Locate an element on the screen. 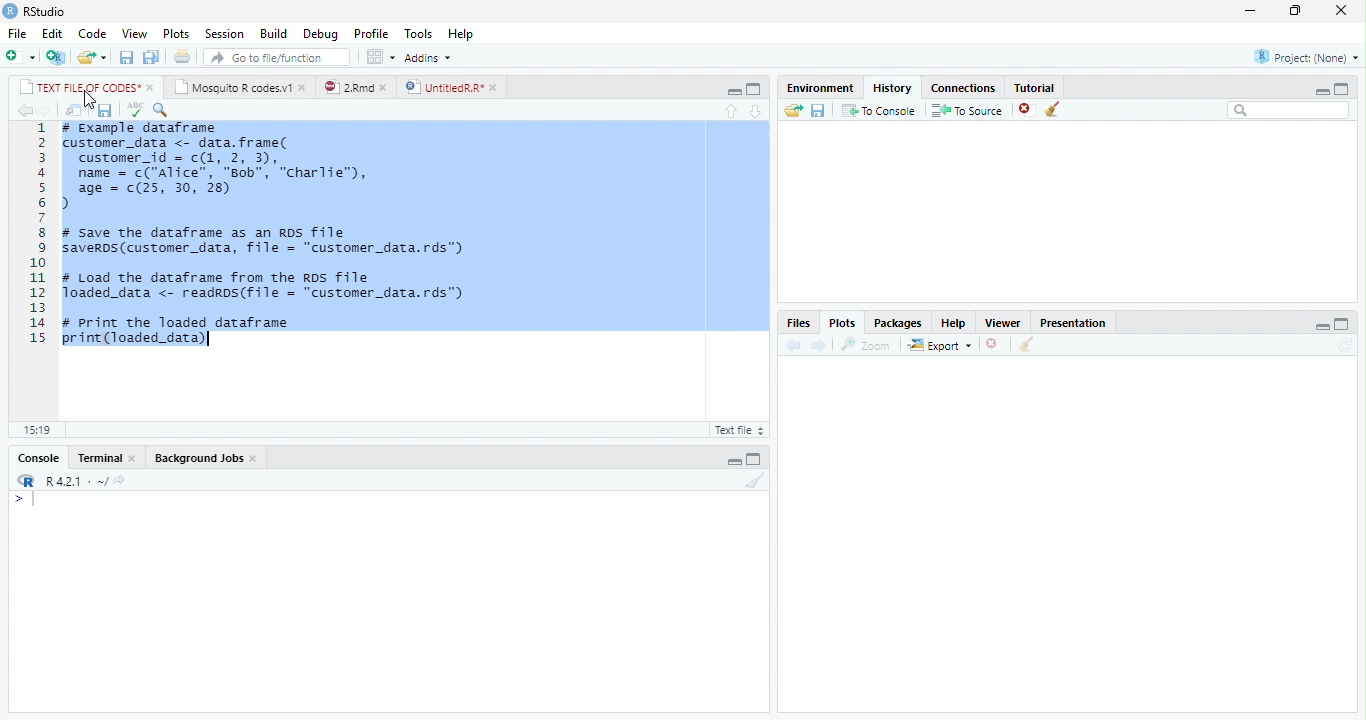 The width and height of the screenshot is (1366, 720). close is located at coordinates (1341, 9).